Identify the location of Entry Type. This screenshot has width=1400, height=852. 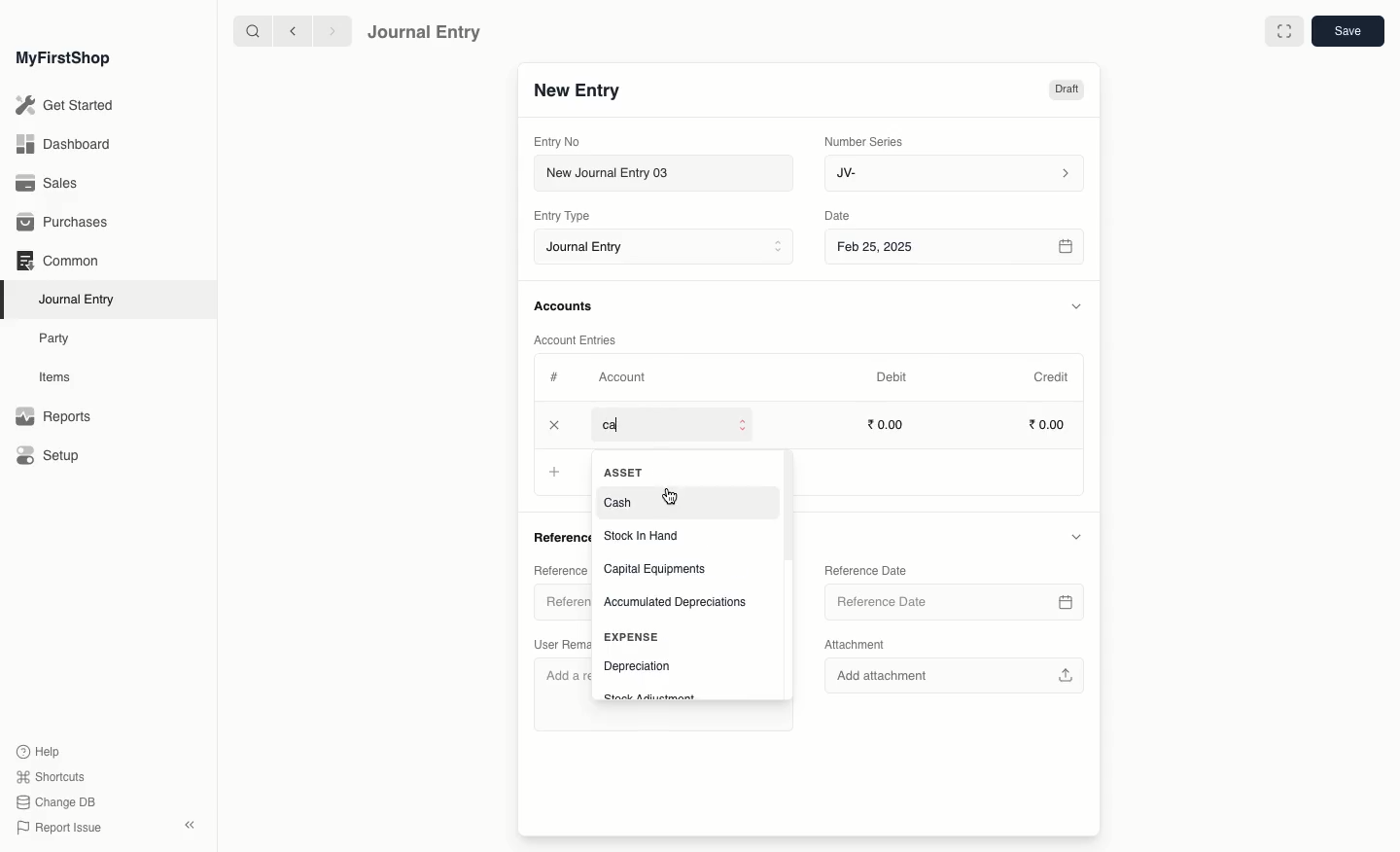
(568, 216).